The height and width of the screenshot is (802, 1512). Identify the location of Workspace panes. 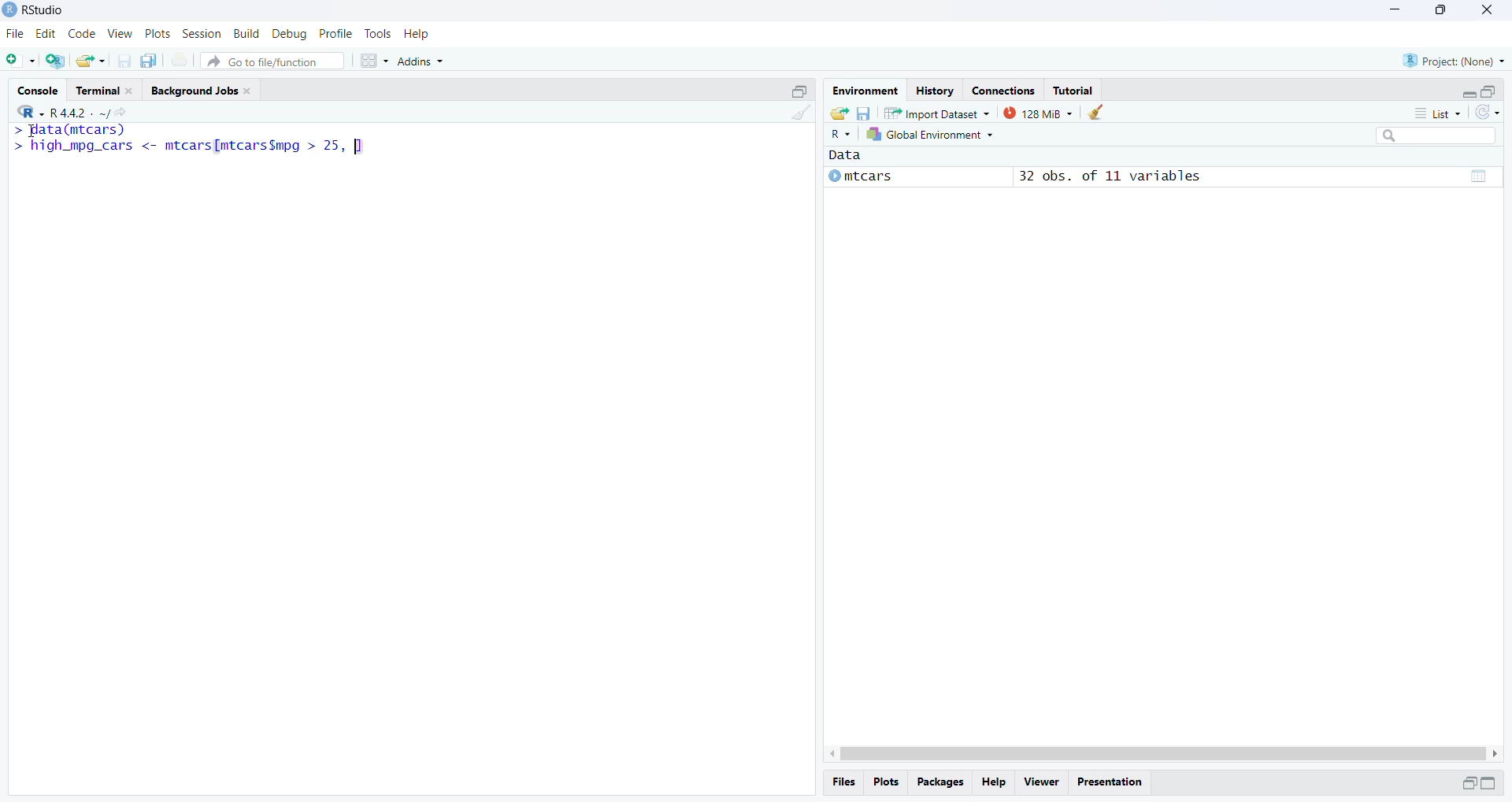
(374, 61).